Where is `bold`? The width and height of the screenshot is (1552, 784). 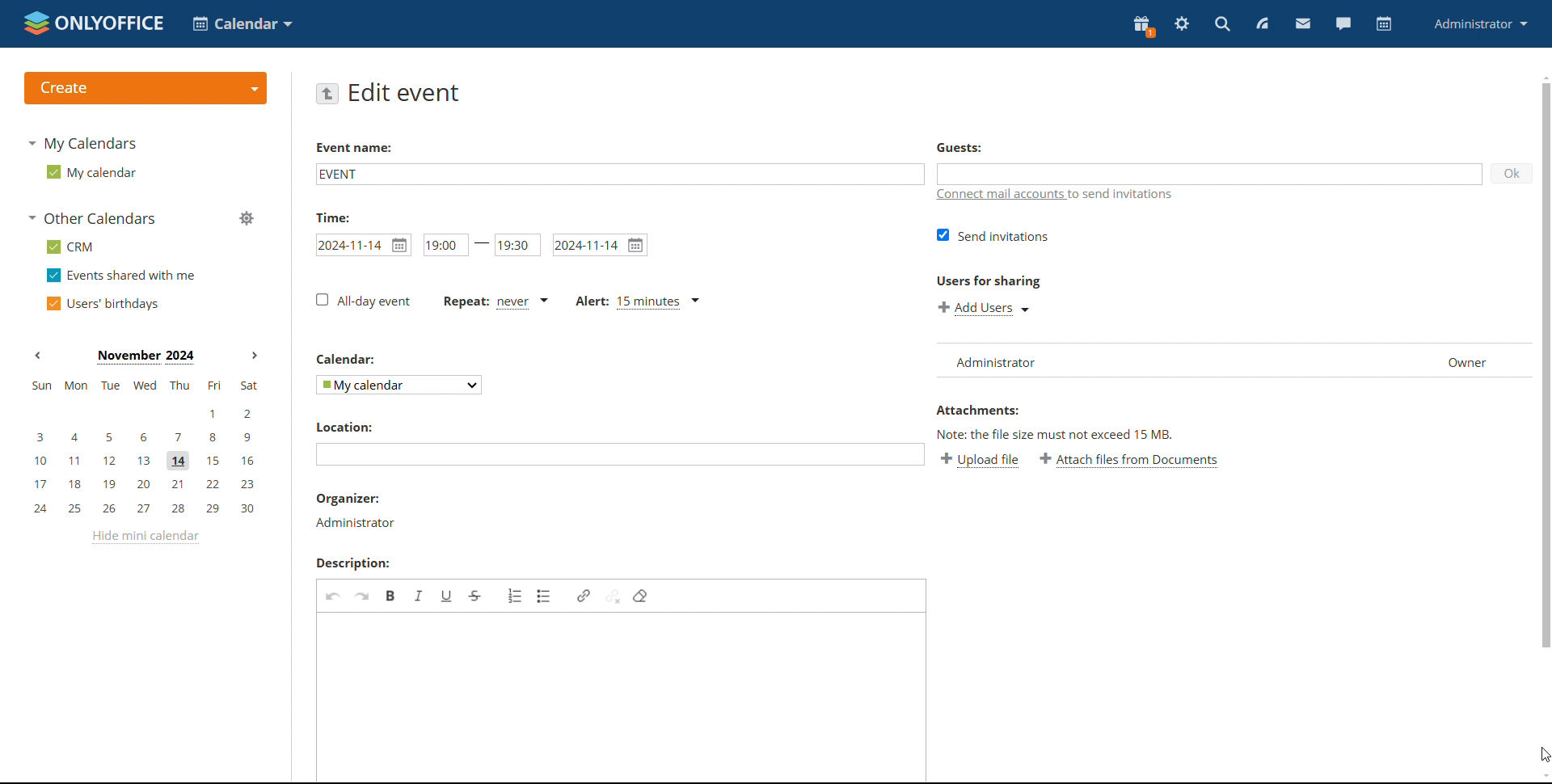 bold is located at coordinates (390, 595).